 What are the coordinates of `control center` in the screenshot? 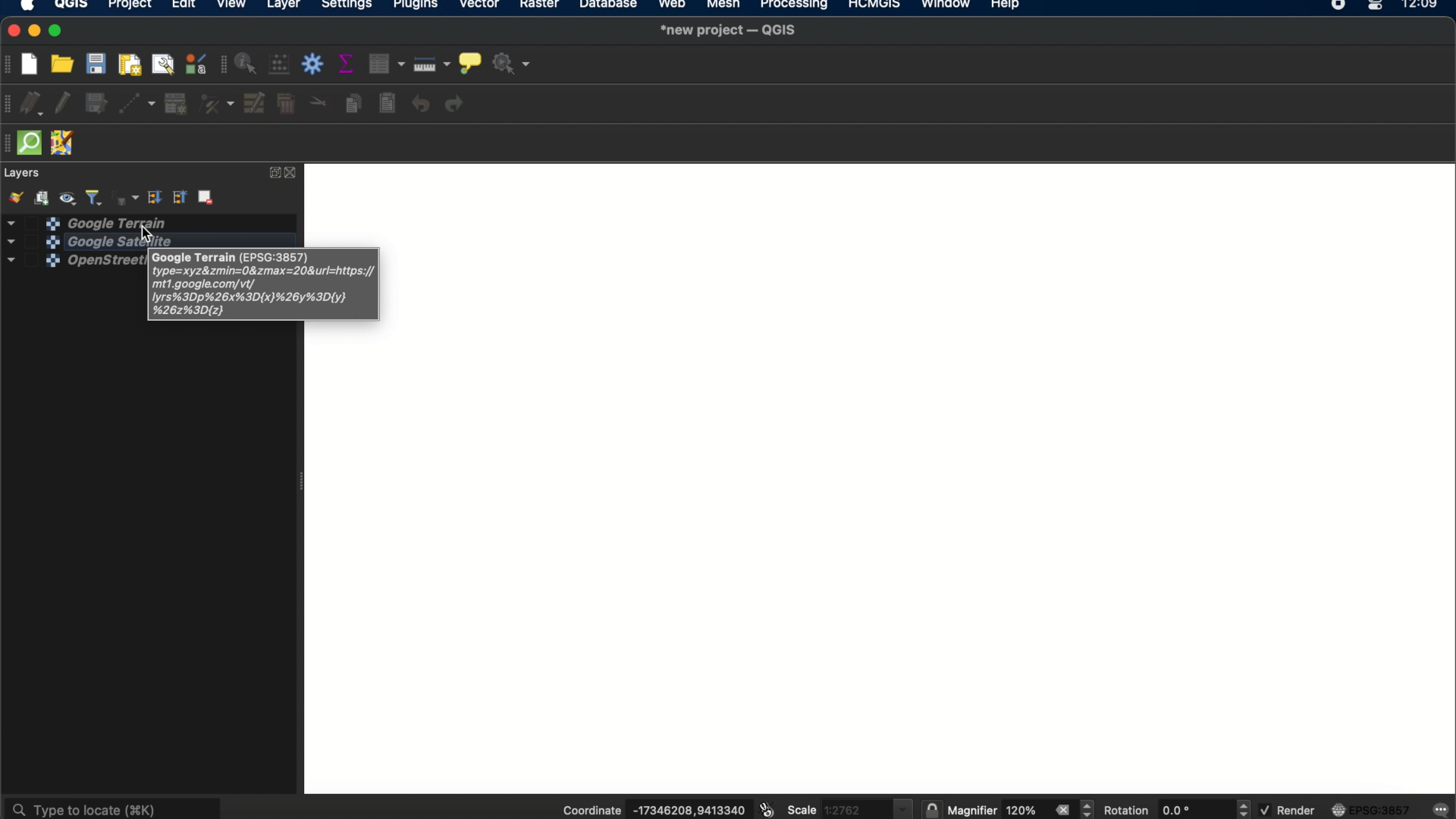 It's located at (1377, 6).